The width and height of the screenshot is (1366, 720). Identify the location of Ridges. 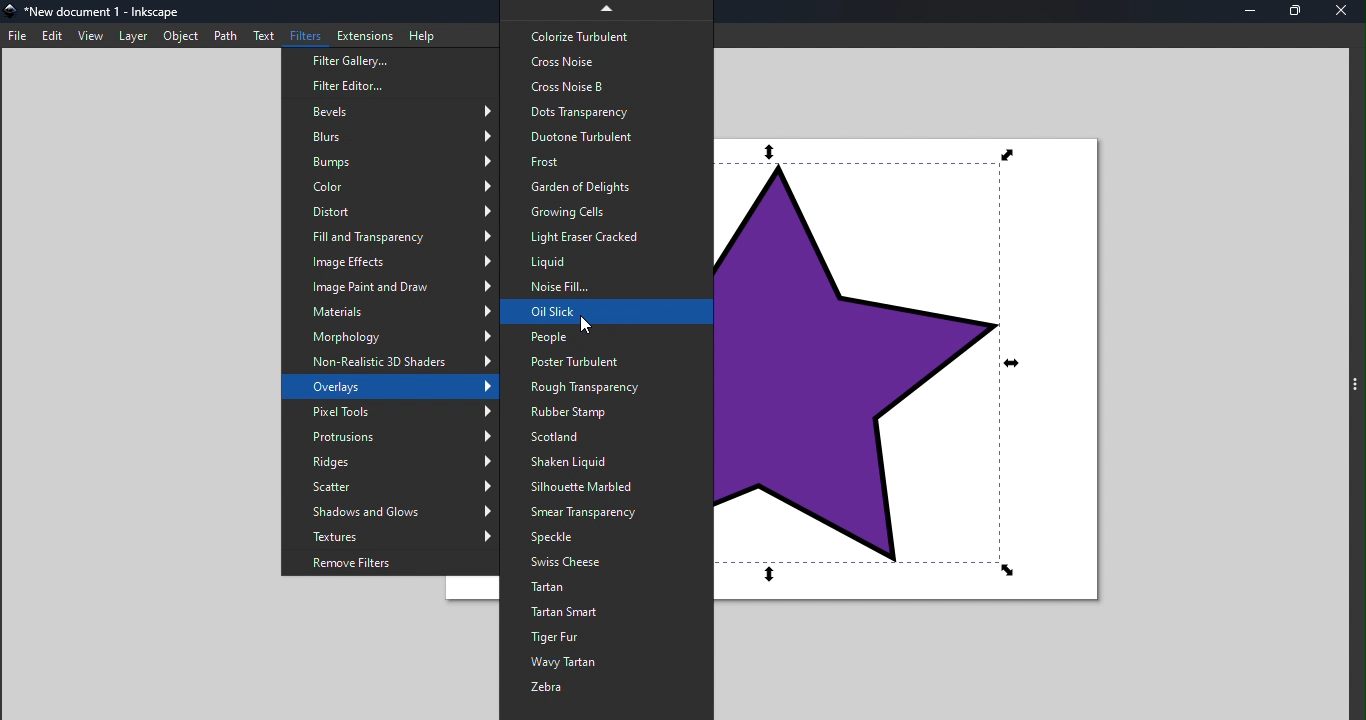
(388, 460).